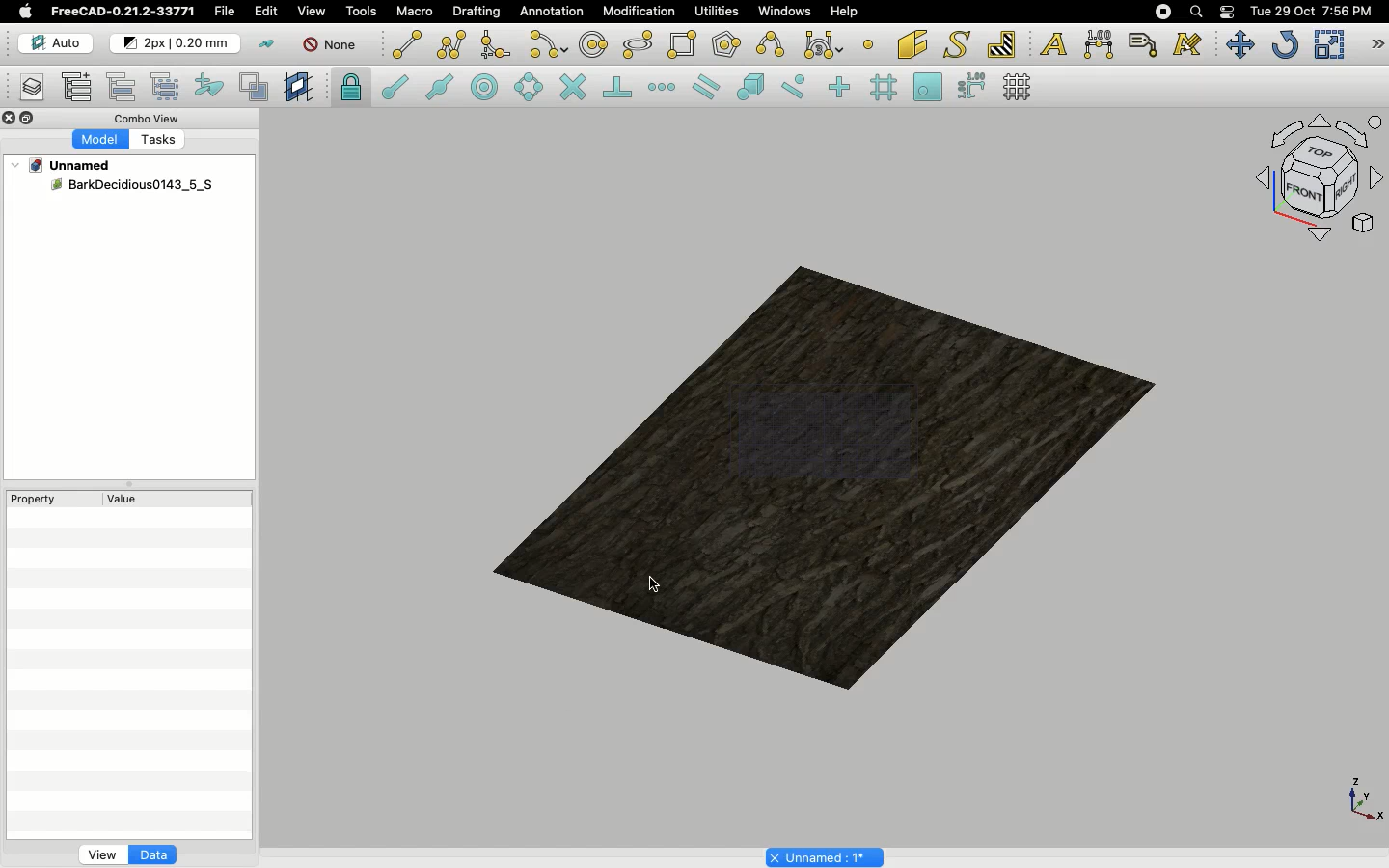 The height and width of the screenshot is (868, 1389). I want to click on Drafting, so click(478, 11).